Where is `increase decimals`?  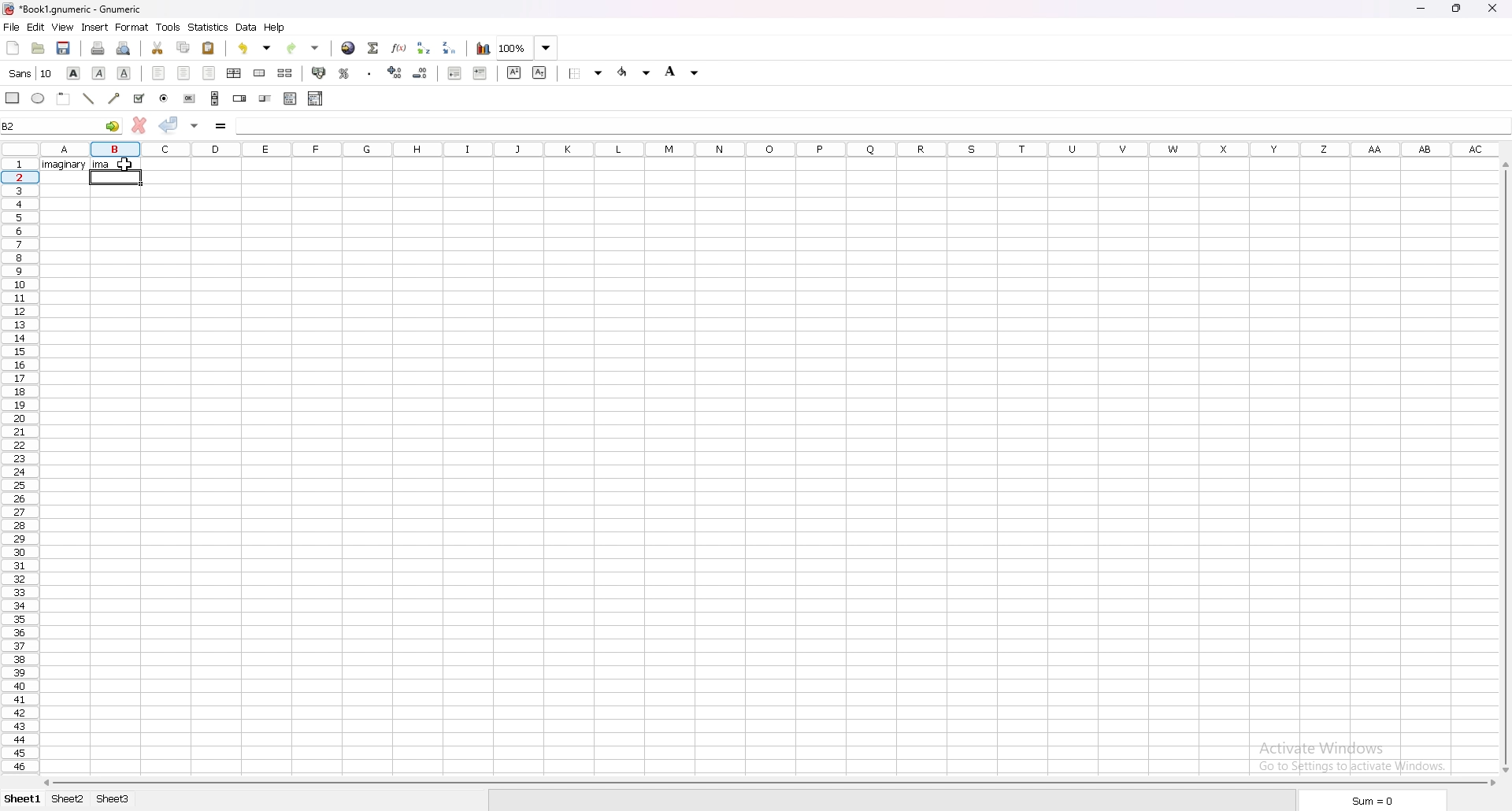
increase decimals is located at coordinates (395, 72).